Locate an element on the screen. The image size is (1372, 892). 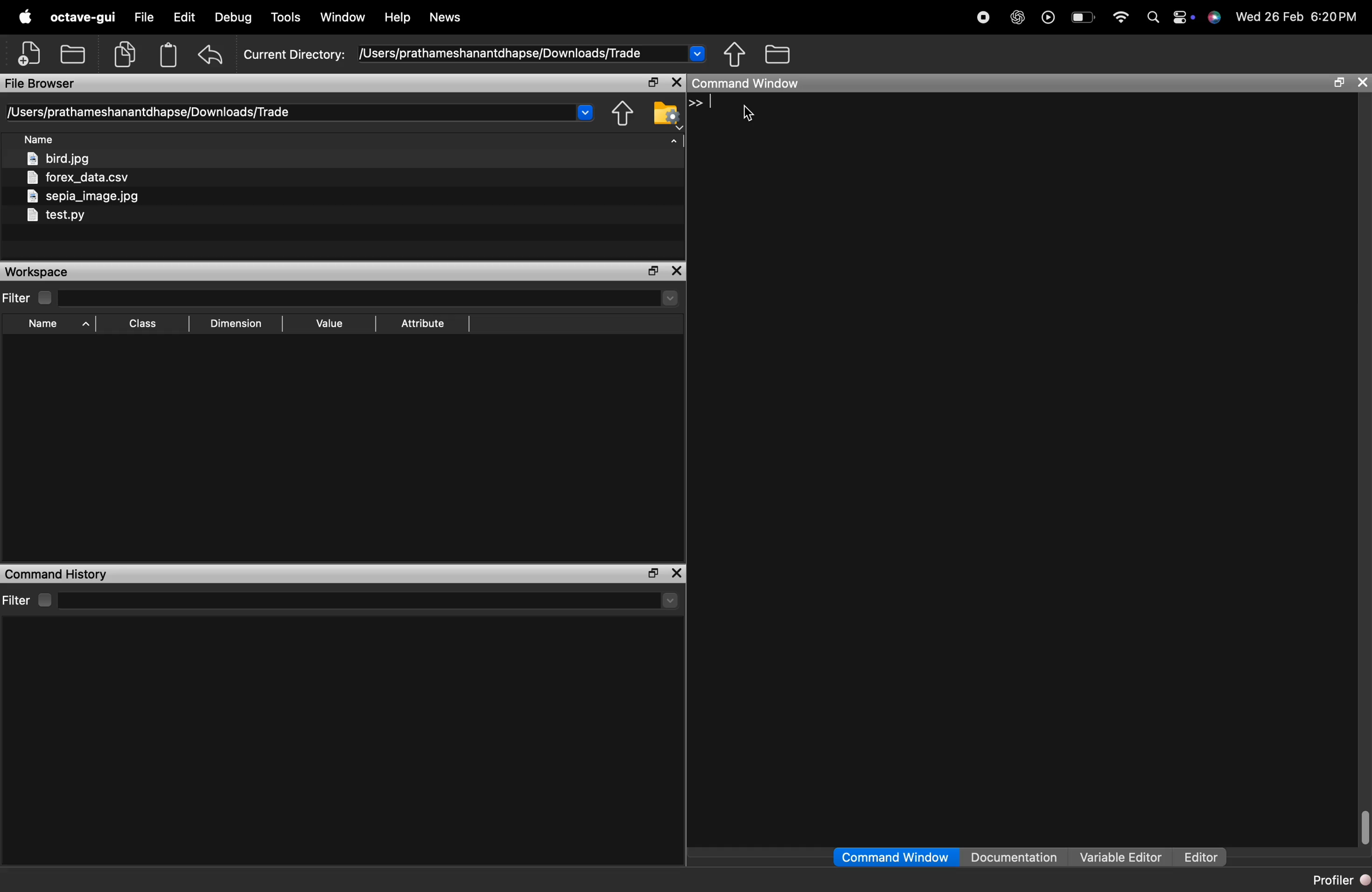
duplicate is located at coordinates (125, 54).